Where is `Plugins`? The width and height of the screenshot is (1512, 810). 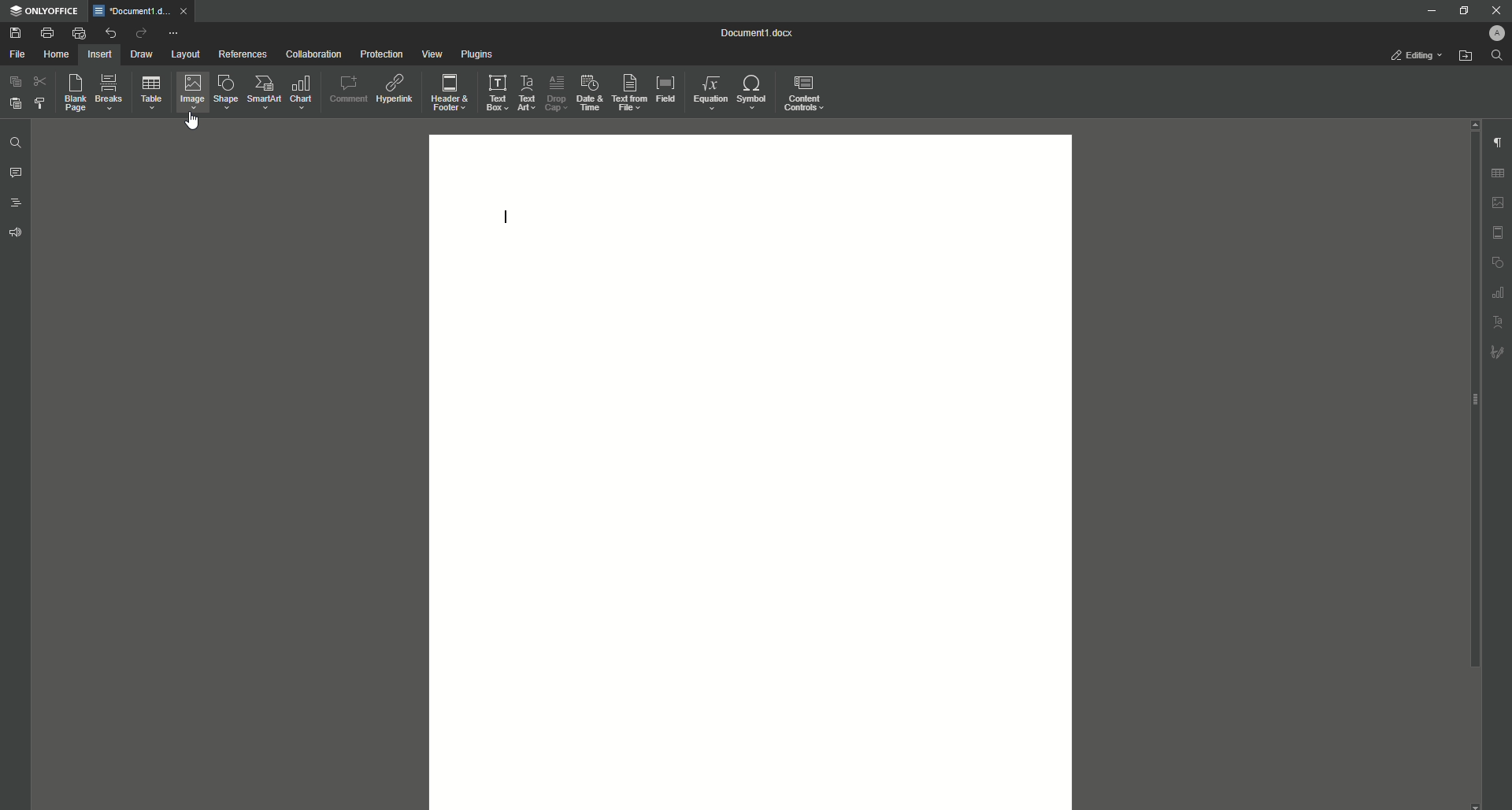 Plugins is located at coordinates (478, 56).